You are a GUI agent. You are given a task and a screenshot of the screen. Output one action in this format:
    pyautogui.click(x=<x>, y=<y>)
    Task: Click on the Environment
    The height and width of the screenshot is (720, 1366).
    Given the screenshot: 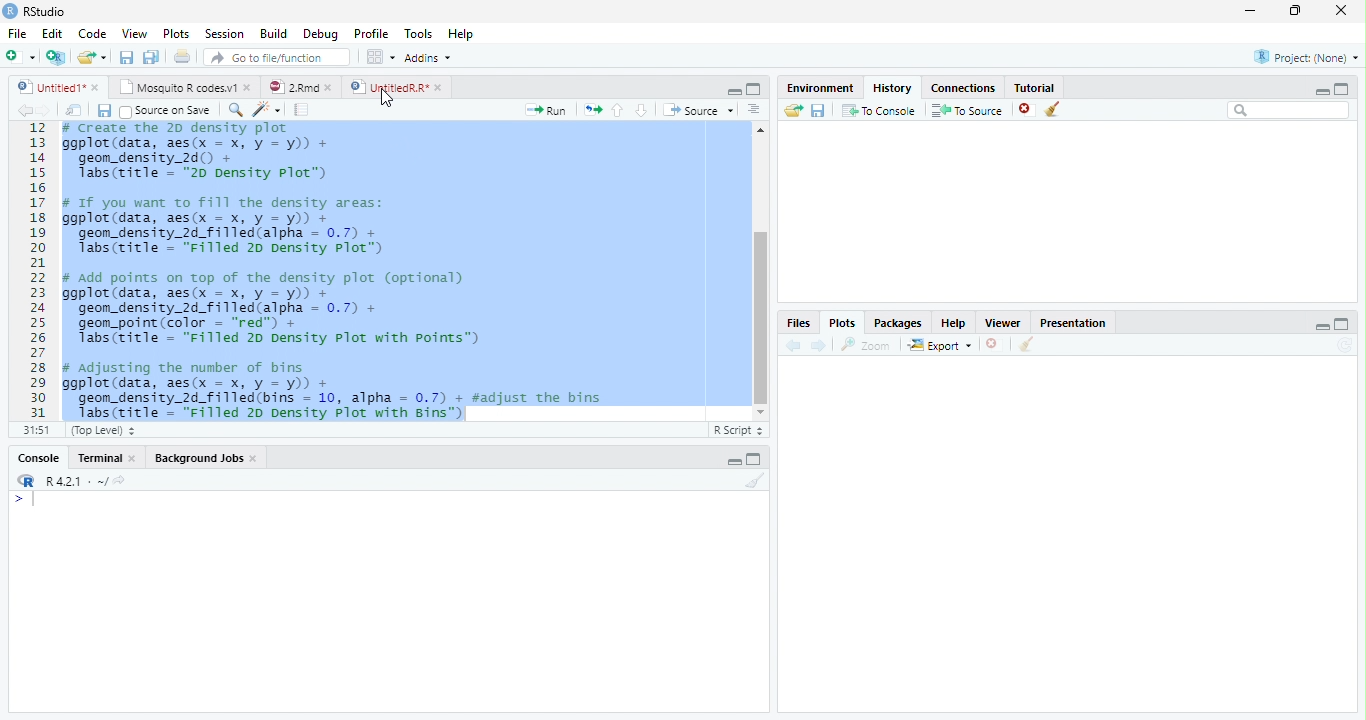 What is the action you would take?
    pyautogui.click(x=818, y=88)
    